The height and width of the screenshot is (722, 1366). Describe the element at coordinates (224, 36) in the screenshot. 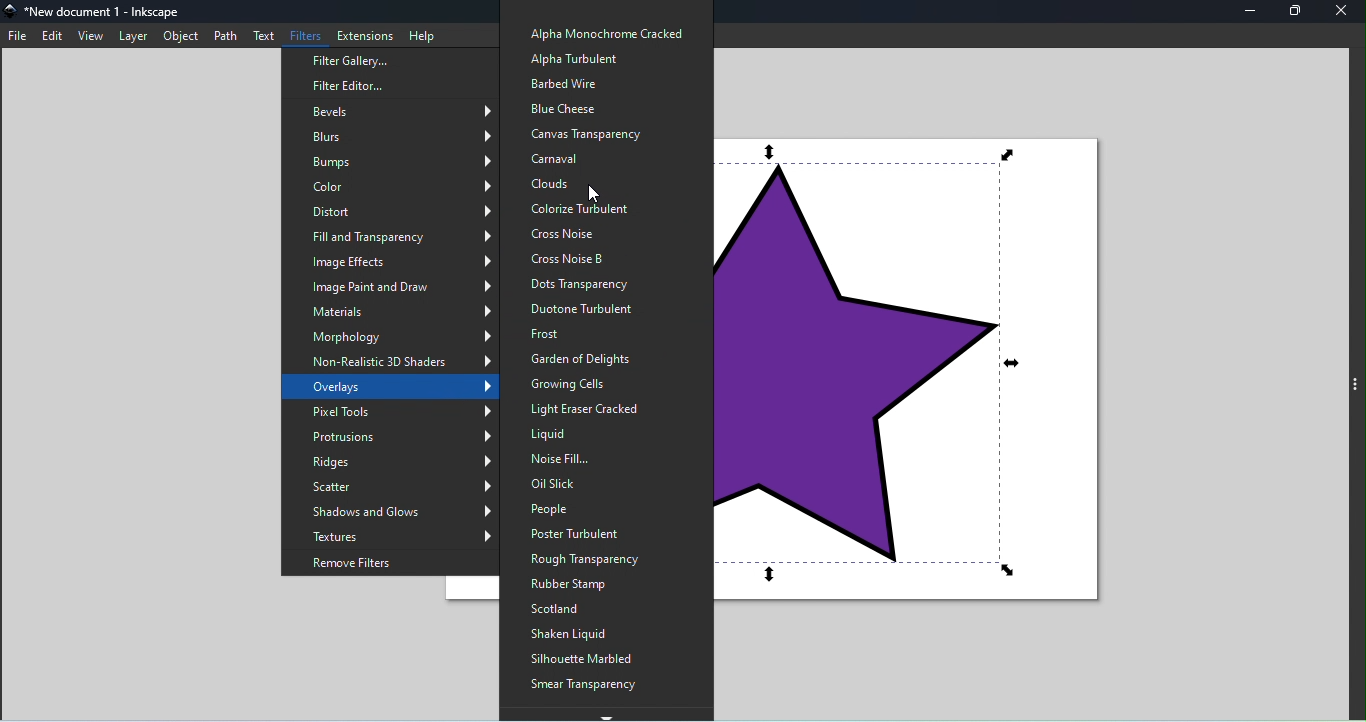

I see `Path` at that location.